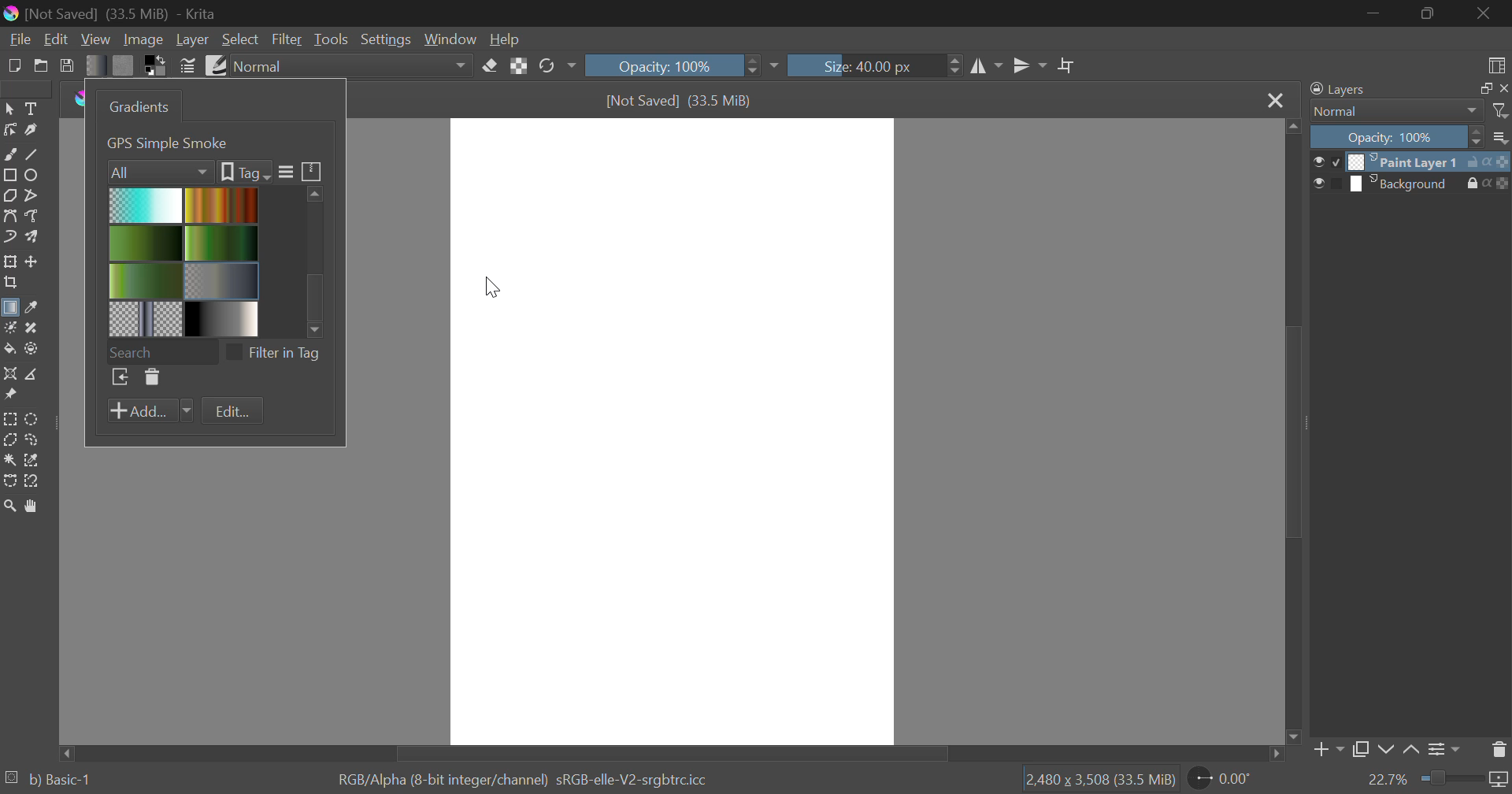 The image size is (1512, 794). What do you see at coordinates (30, 194) in the screenshot?
I see `Polyline` at bounding box center [30, 194].